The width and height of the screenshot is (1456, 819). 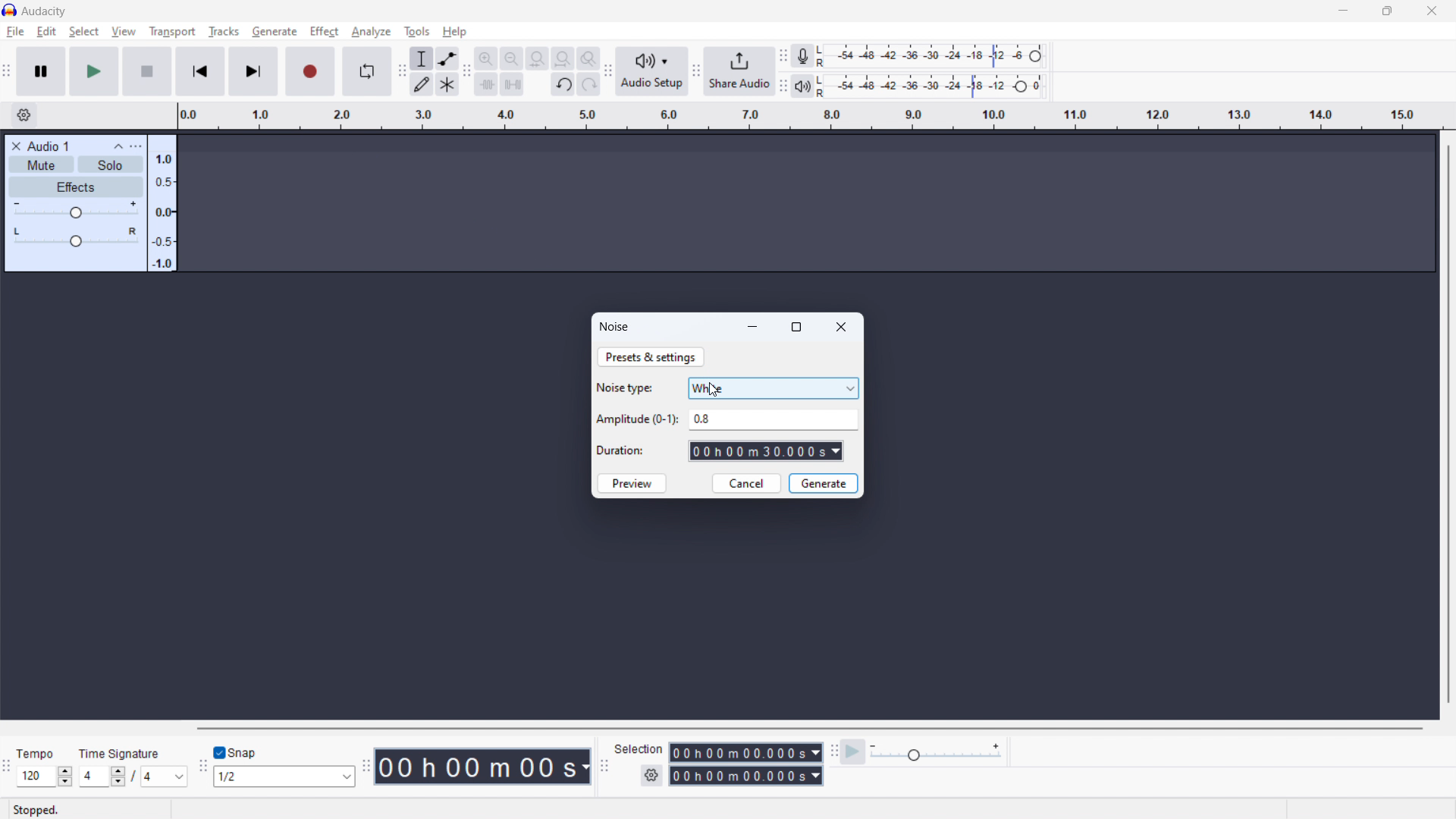 What do you see at coordinates (511, 58) in the screenshot?
I see `zoom out` at bounding box center [511, 58].